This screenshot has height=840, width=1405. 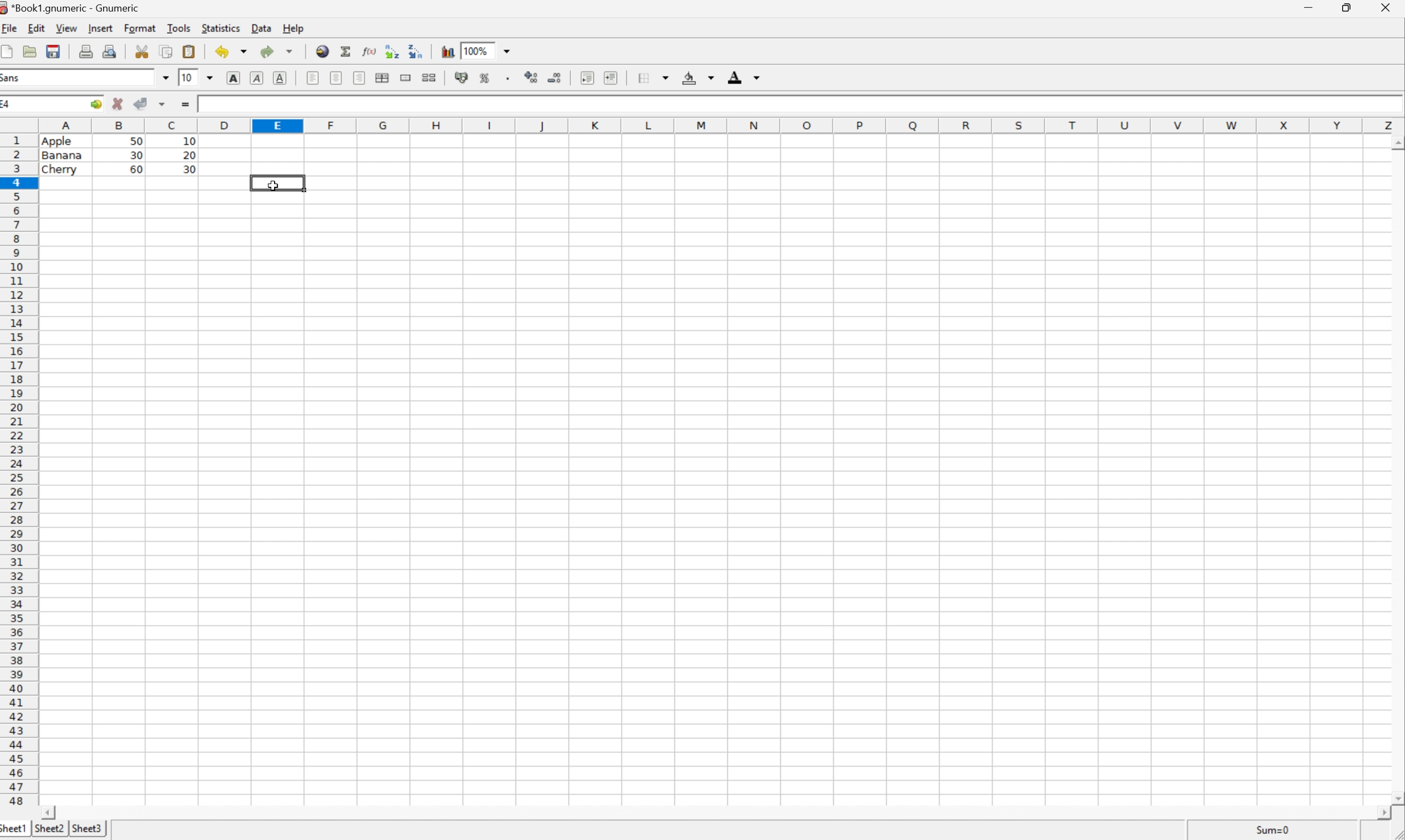 What do you see at coordinates (716, 126) in the screenshot?
I see `column names` at bounding box center [716, 126].